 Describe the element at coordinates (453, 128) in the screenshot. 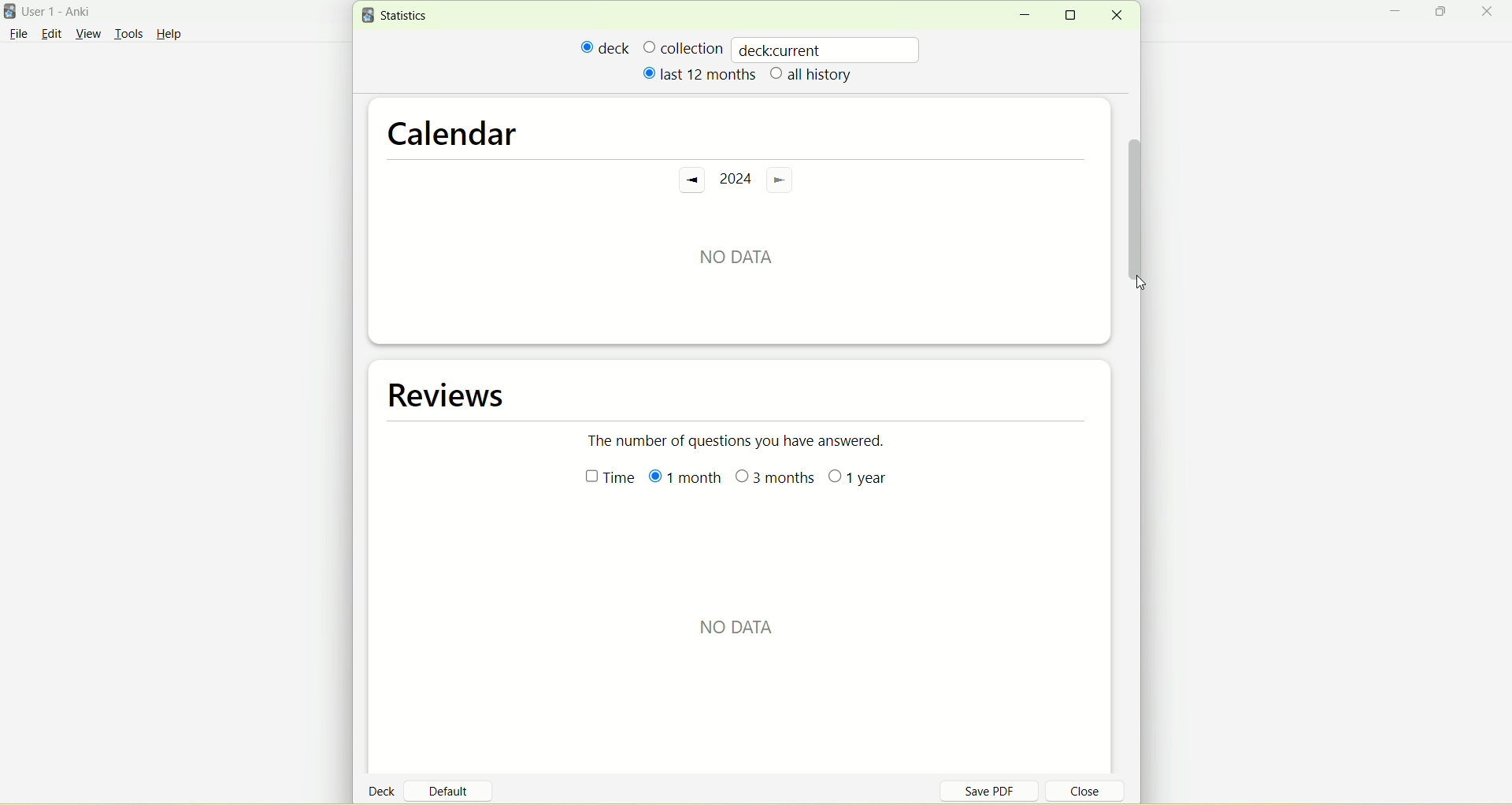

I see `calendar` at that location.